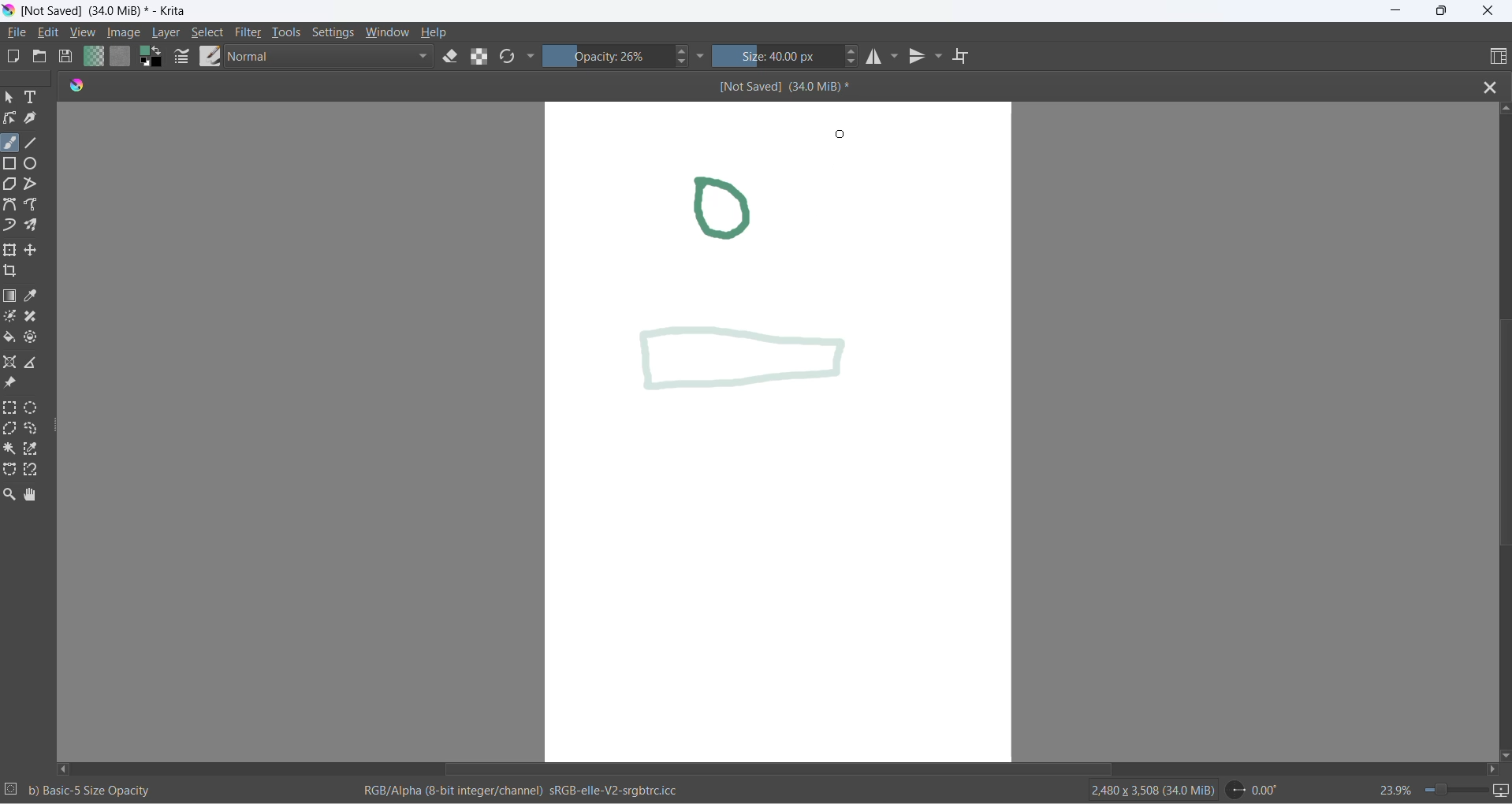  Describe the element at coordinates (849, 135) in the screenshot. I see `cursor` at that location.